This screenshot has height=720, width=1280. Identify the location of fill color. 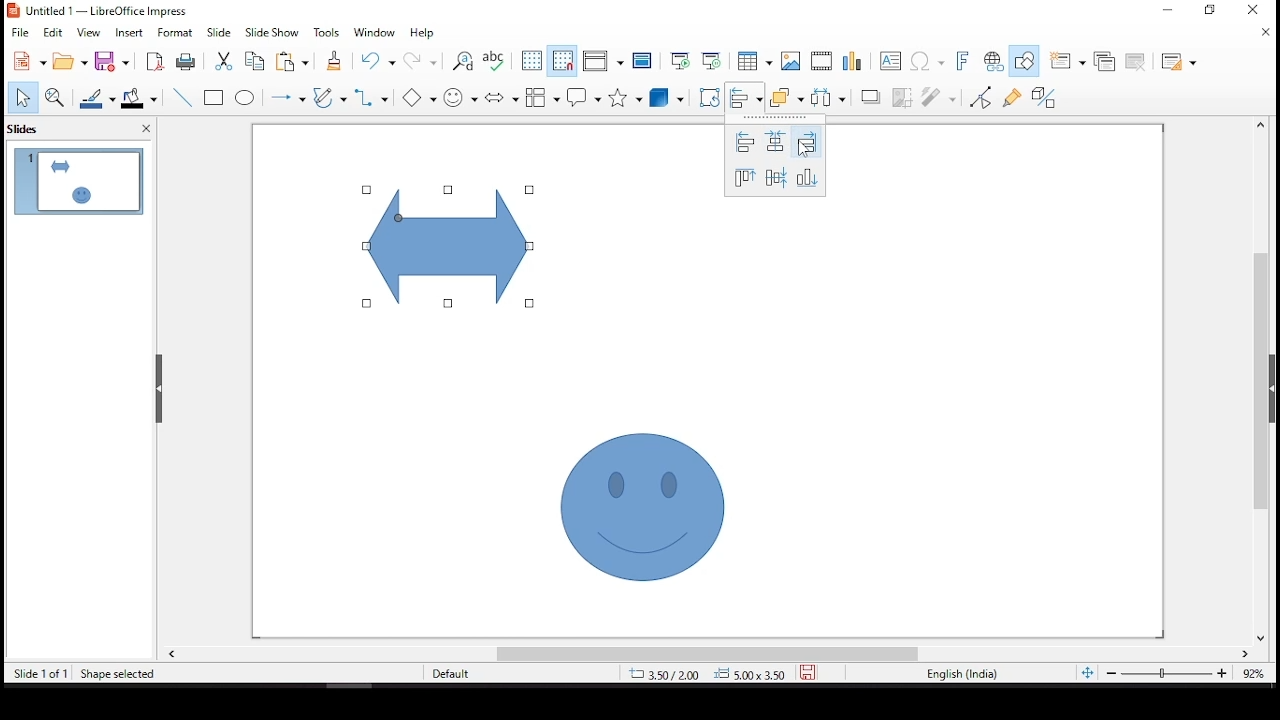
(139, 101).